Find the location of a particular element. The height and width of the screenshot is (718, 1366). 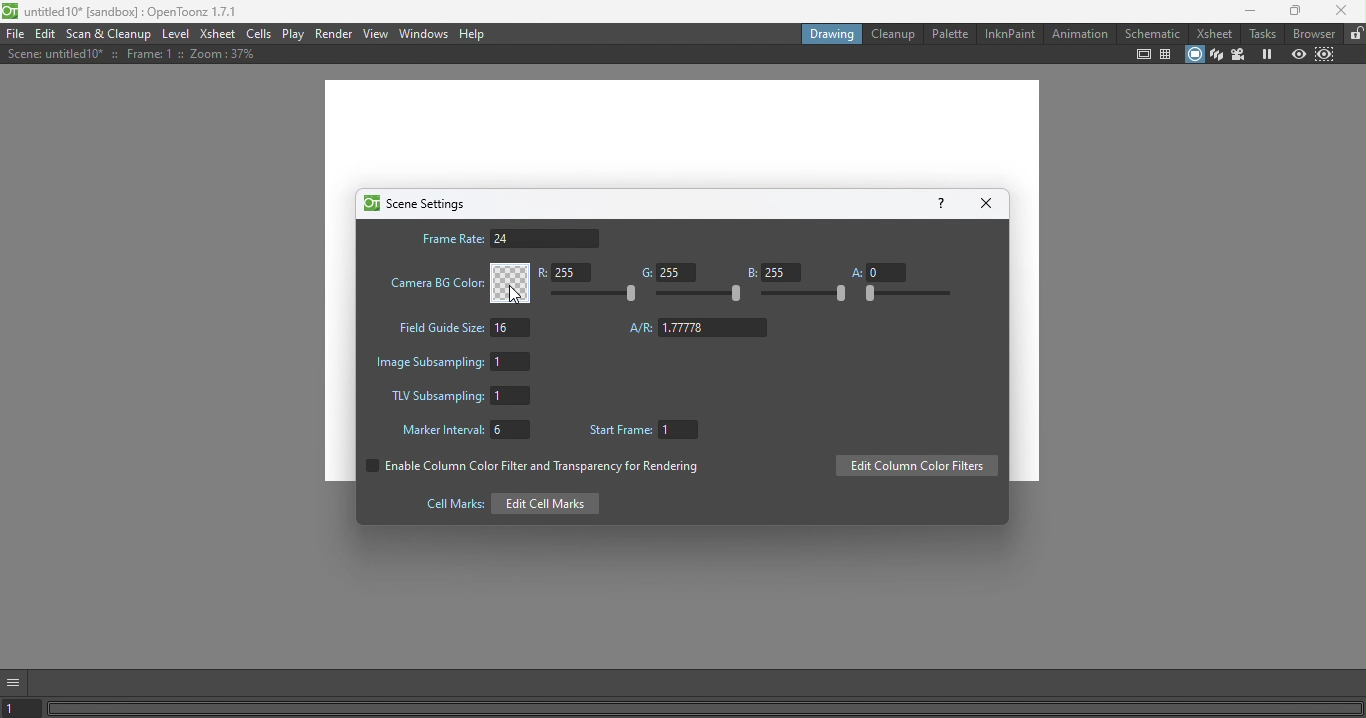

Close is located at coordinates (1343, 13).